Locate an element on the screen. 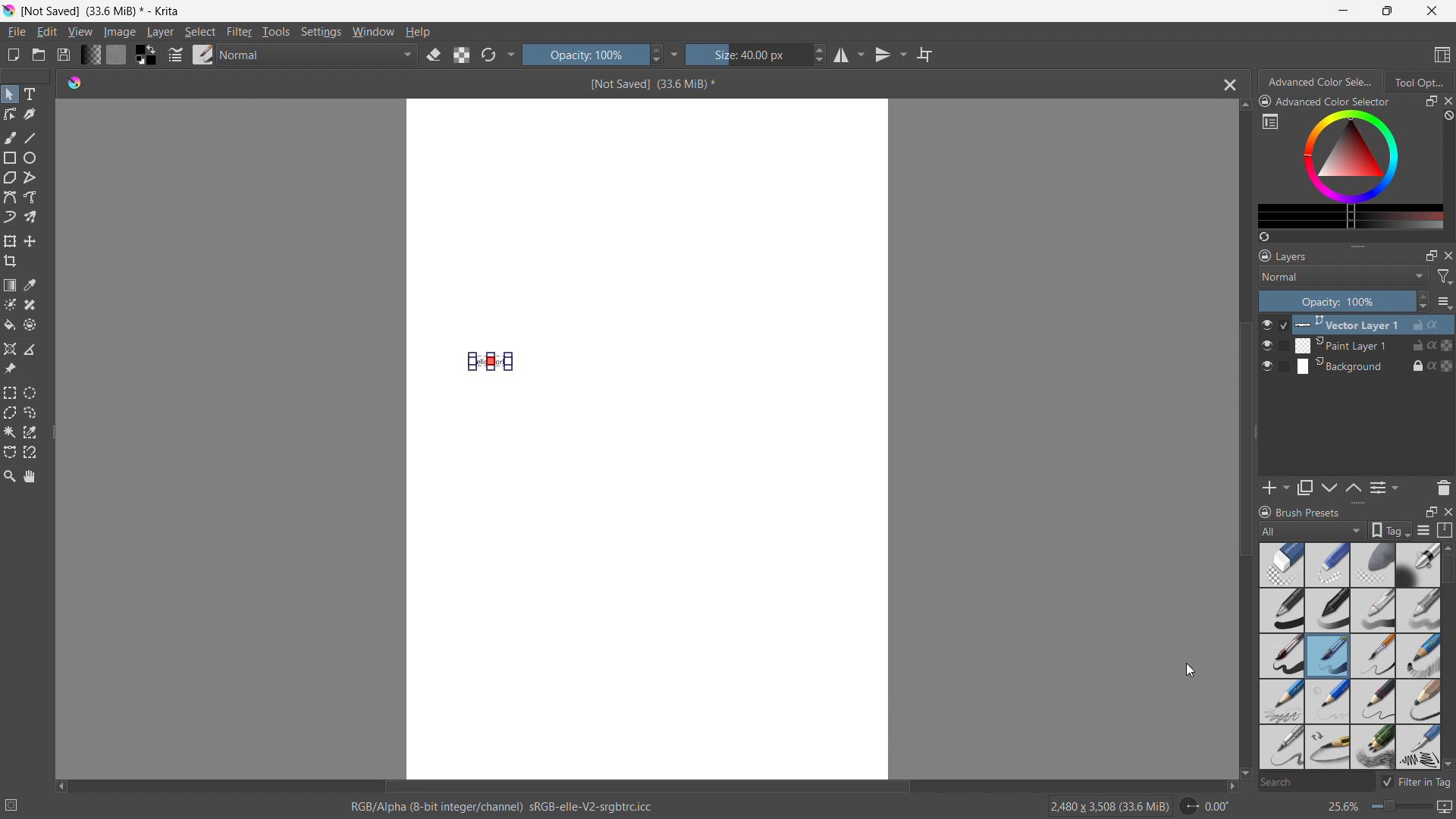 This screenshot has width=1456, height=819. filter in tag is located at coordinates (1416, 780).